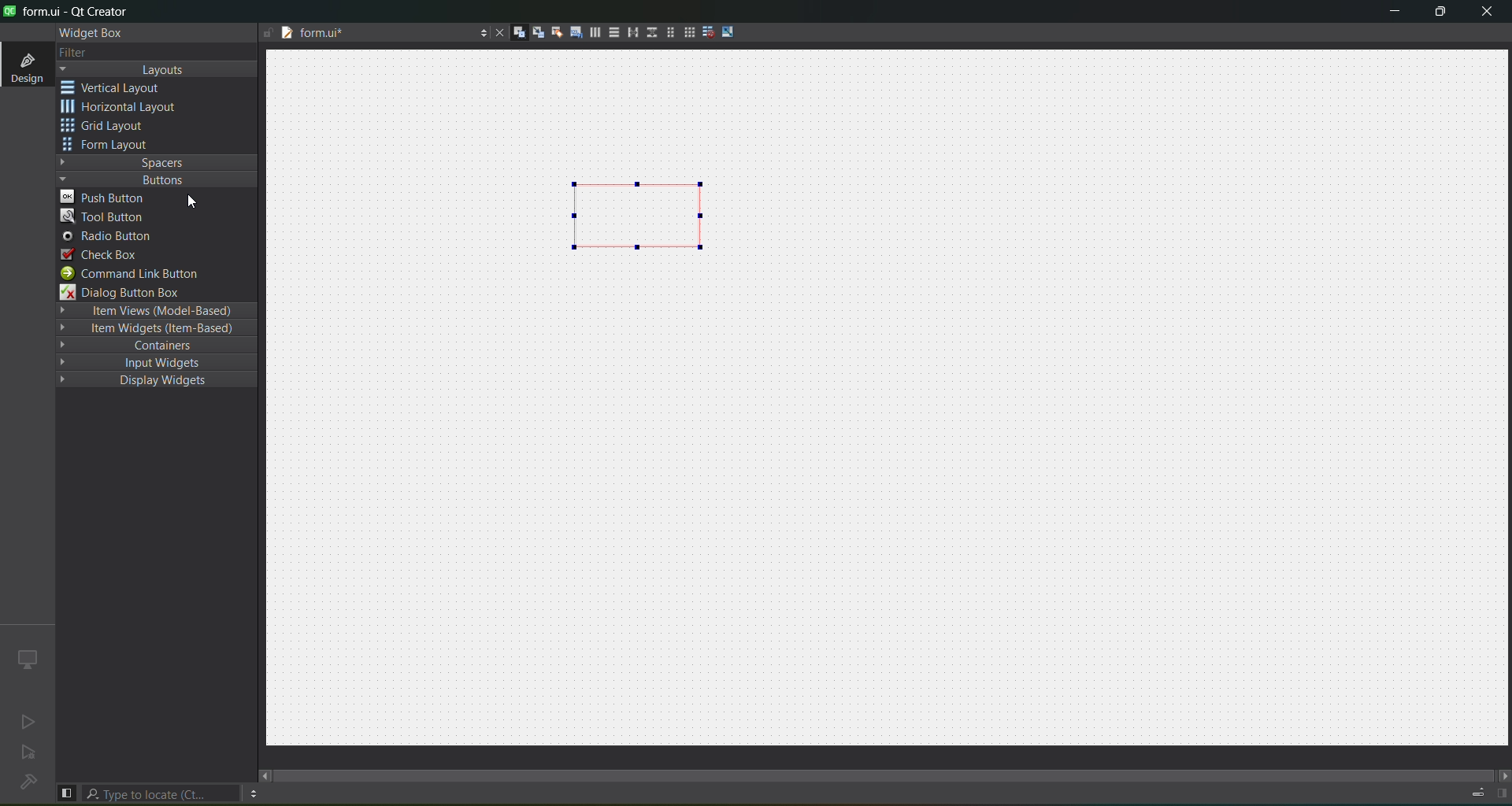 This screenshot has height=806, width=1512. I want to click on show/hide left pane, so click(66, 792).